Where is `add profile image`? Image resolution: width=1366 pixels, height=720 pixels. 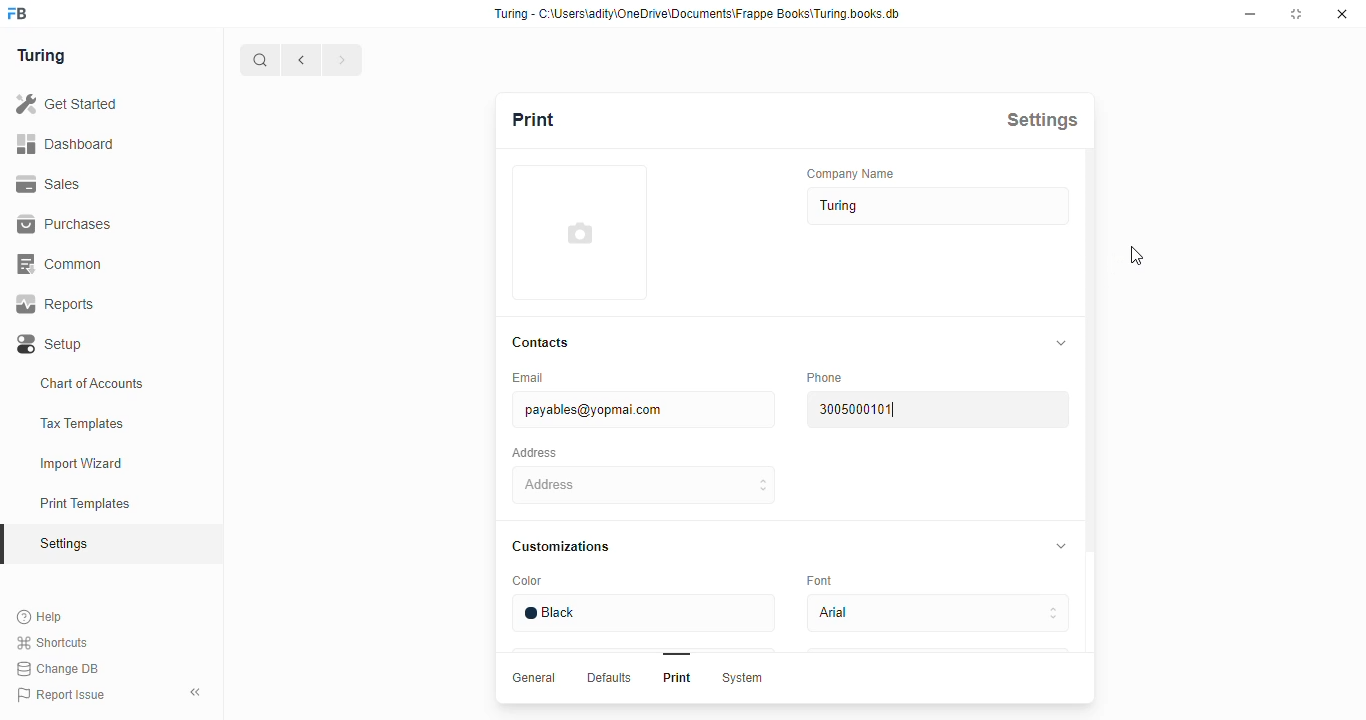
add profile image is located at coordinates (585, 236).